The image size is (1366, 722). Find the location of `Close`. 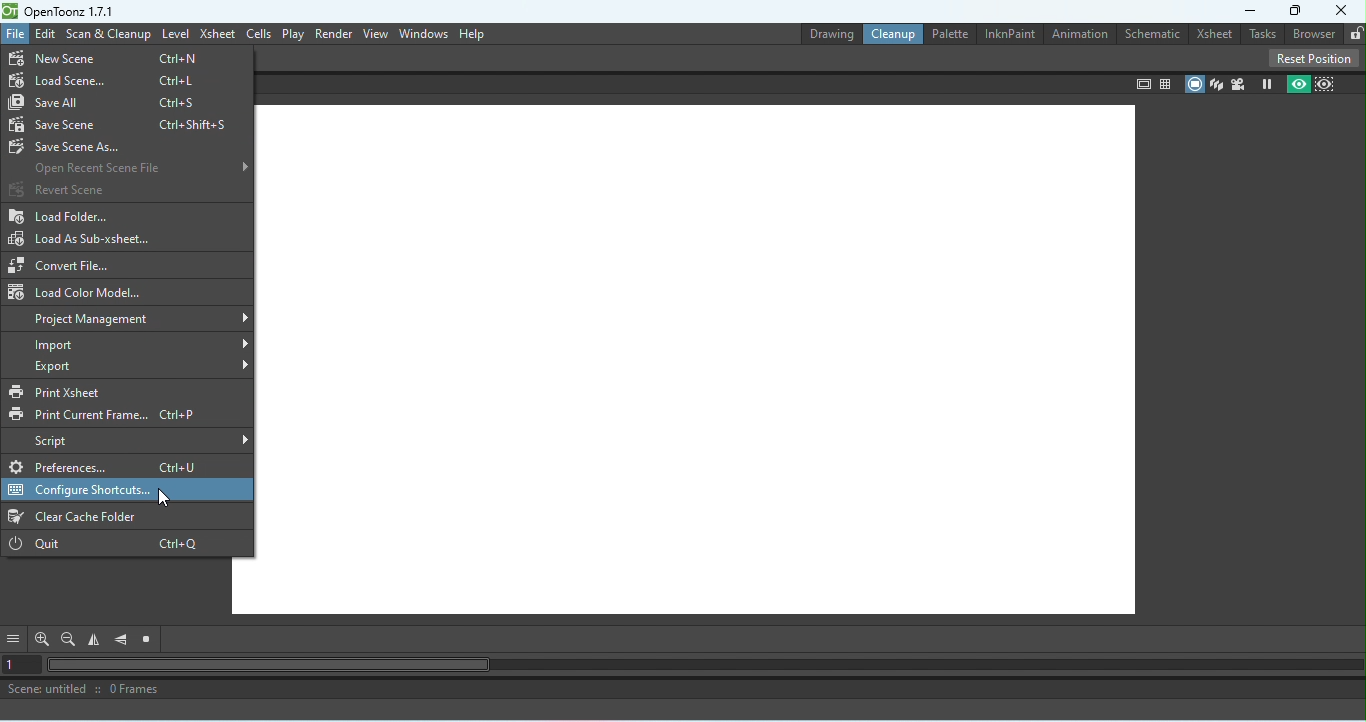

Close is located at coordinates (1342, 10).